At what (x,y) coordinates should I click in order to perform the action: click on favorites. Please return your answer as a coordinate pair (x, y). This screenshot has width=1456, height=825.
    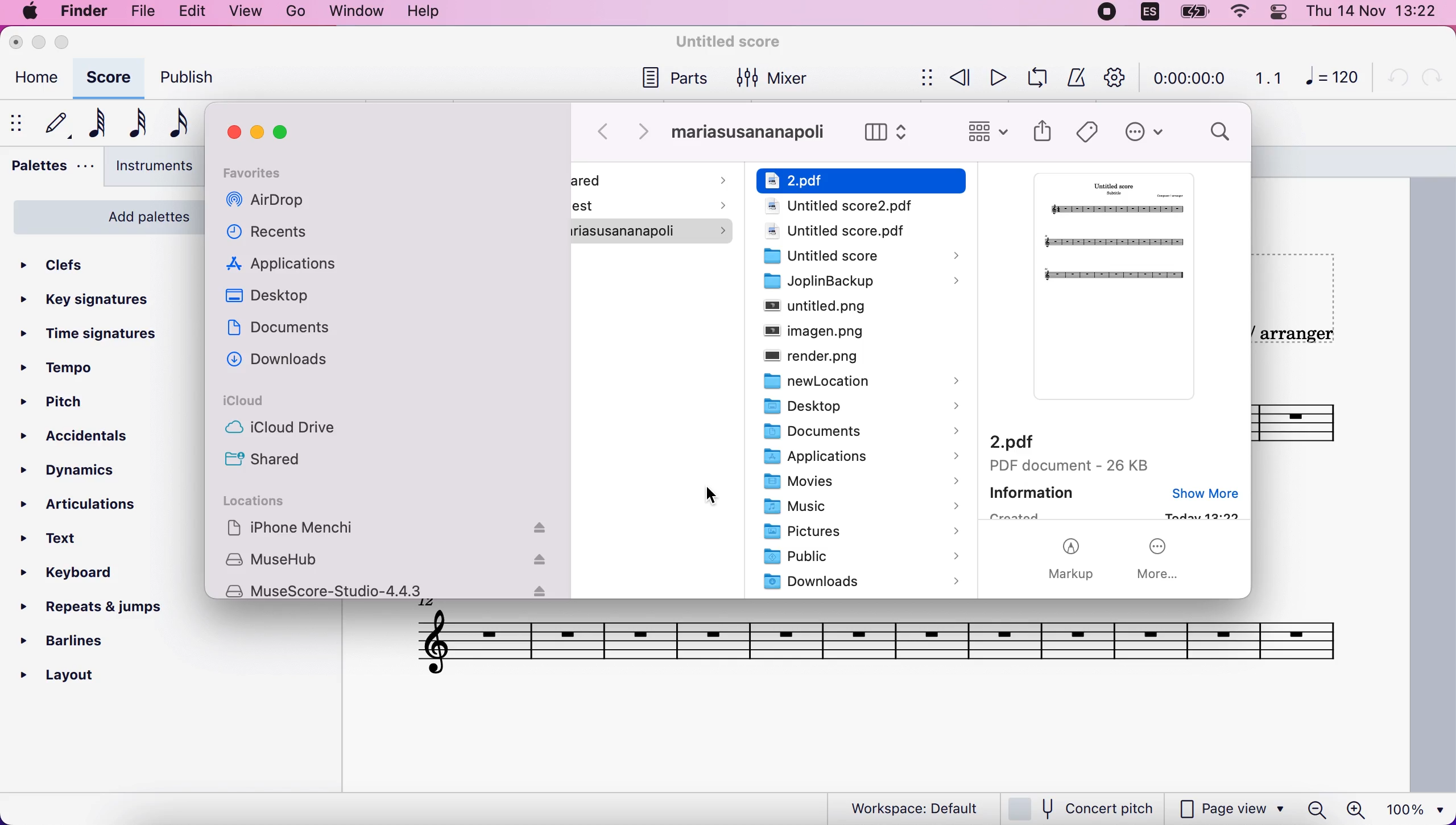
    Looking at the image, I should click on (276, 172).